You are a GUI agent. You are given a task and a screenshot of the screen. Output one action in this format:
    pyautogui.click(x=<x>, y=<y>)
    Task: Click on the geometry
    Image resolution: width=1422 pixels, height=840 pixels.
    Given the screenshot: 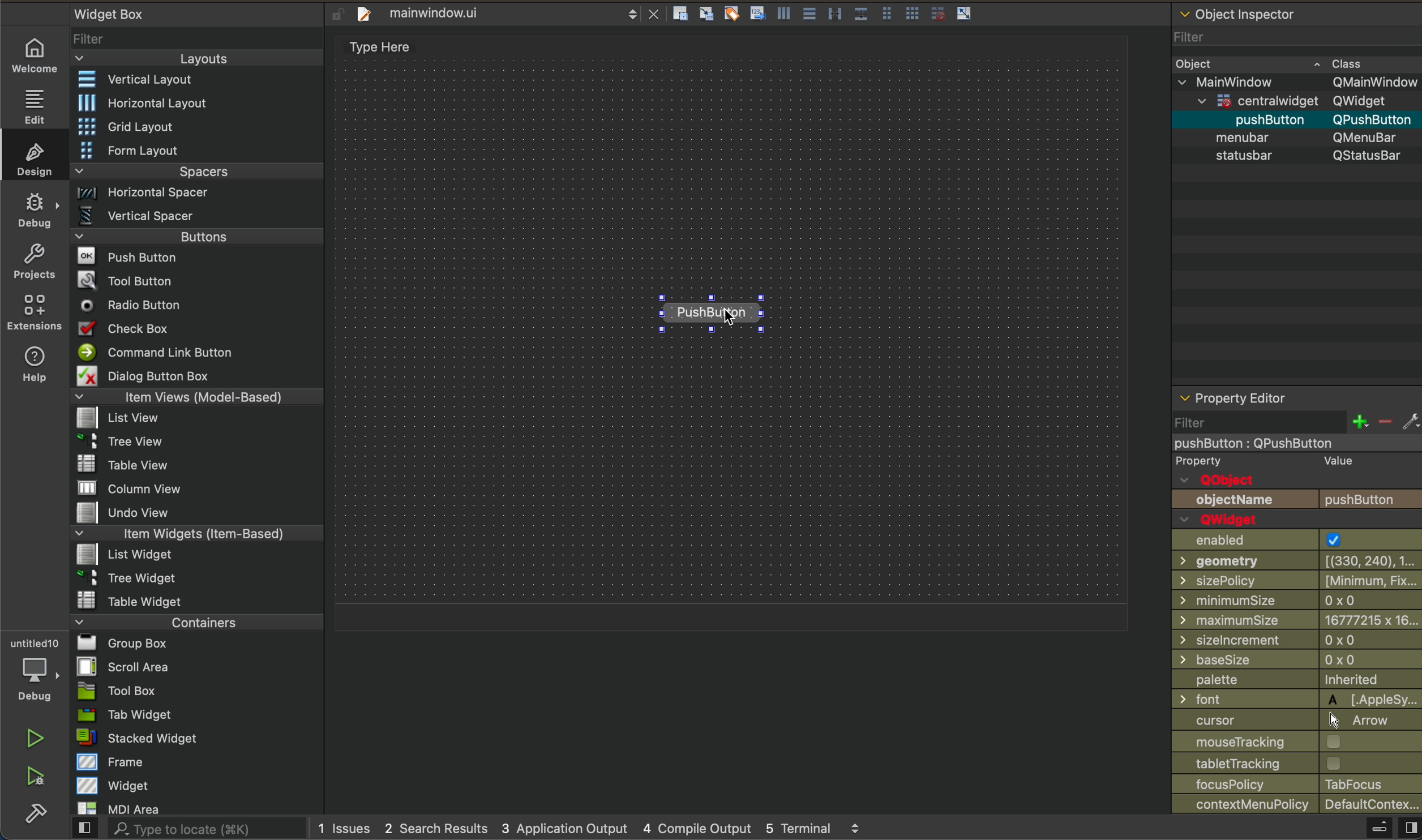 What is the action you would take?
    pyautogui.click(x=1295, y=562)
    